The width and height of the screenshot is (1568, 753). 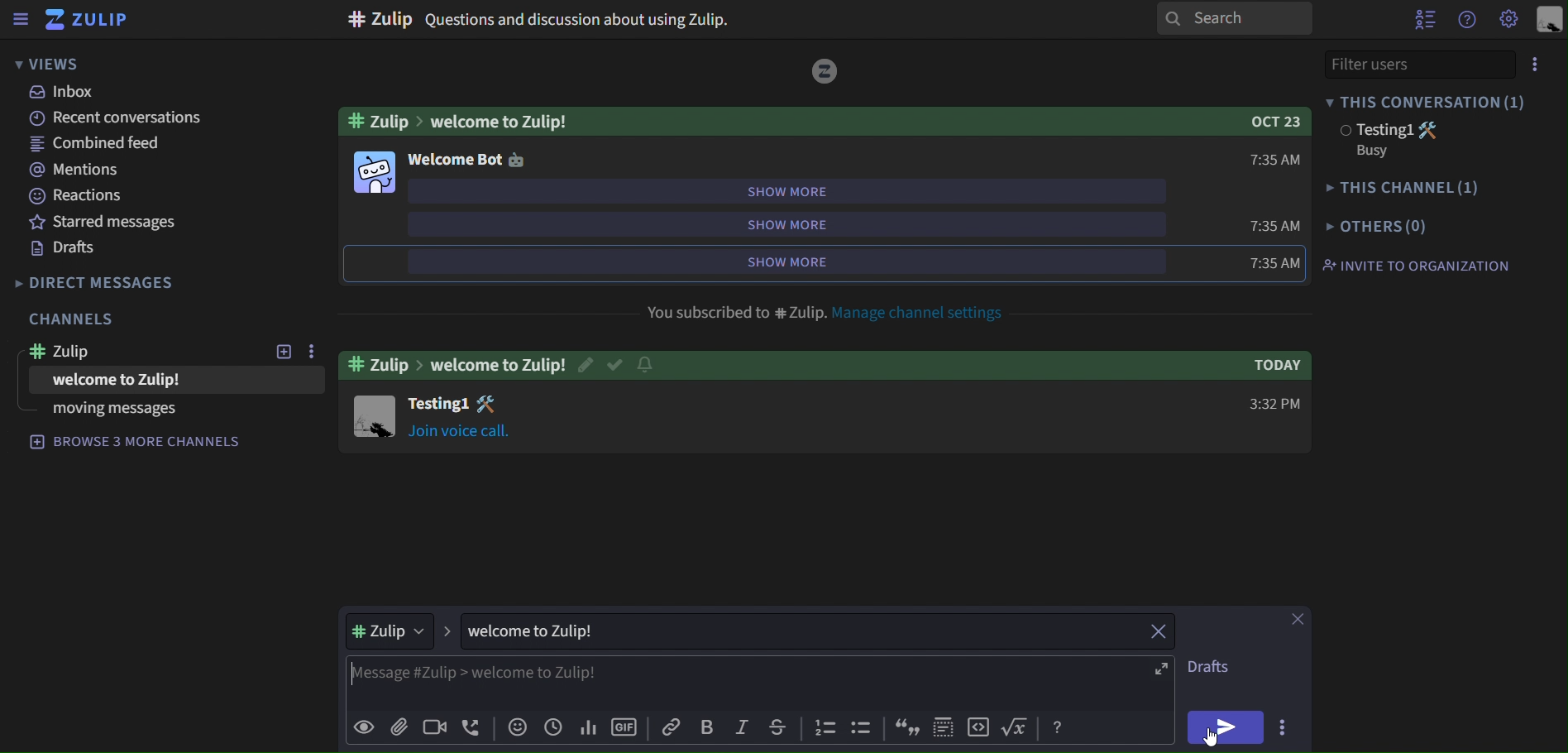 What do you see at coordinates (1159, 670) in the screenshot?
I see `fullscreen` at bounding box center [1159, 670].